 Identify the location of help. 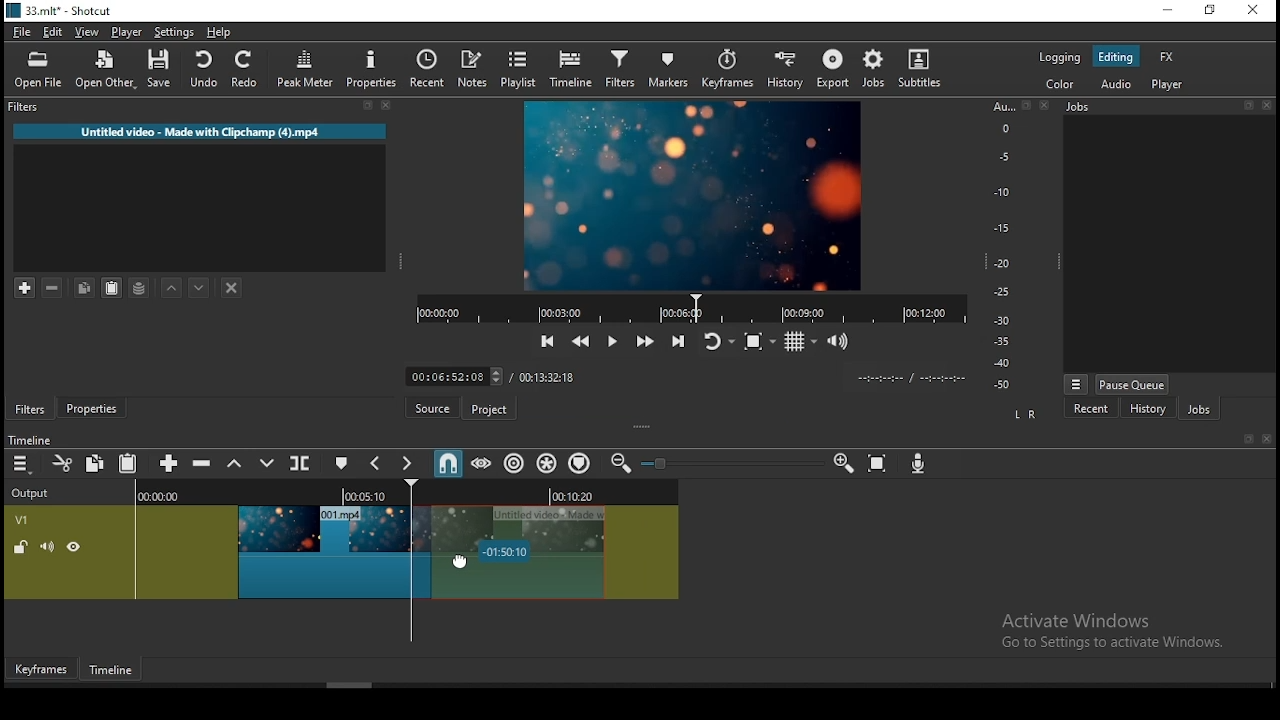
(219, 30).